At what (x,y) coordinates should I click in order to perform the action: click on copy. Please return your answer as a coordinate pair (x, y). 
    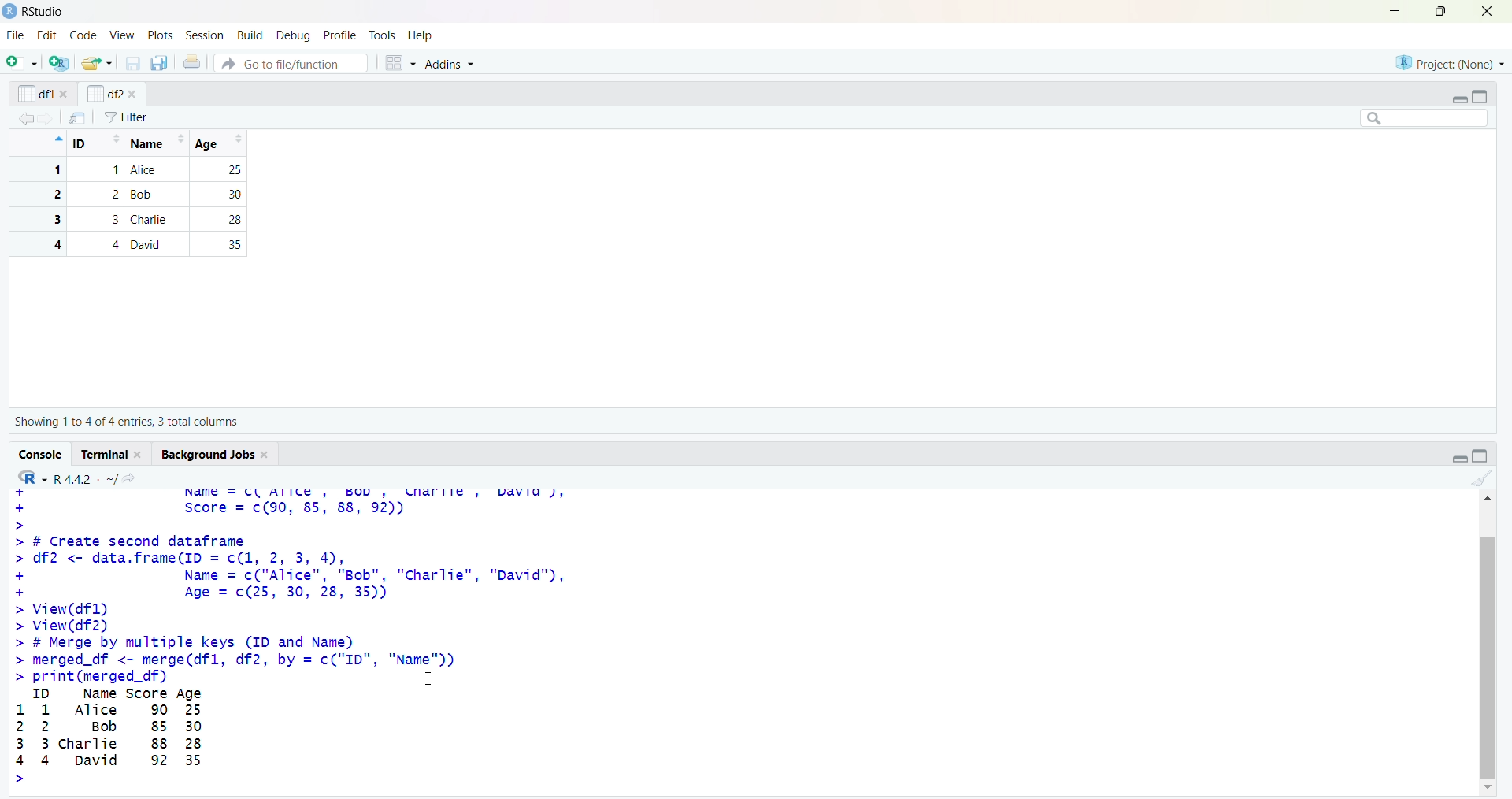
    Looking at the image, I should click on (159, 63).